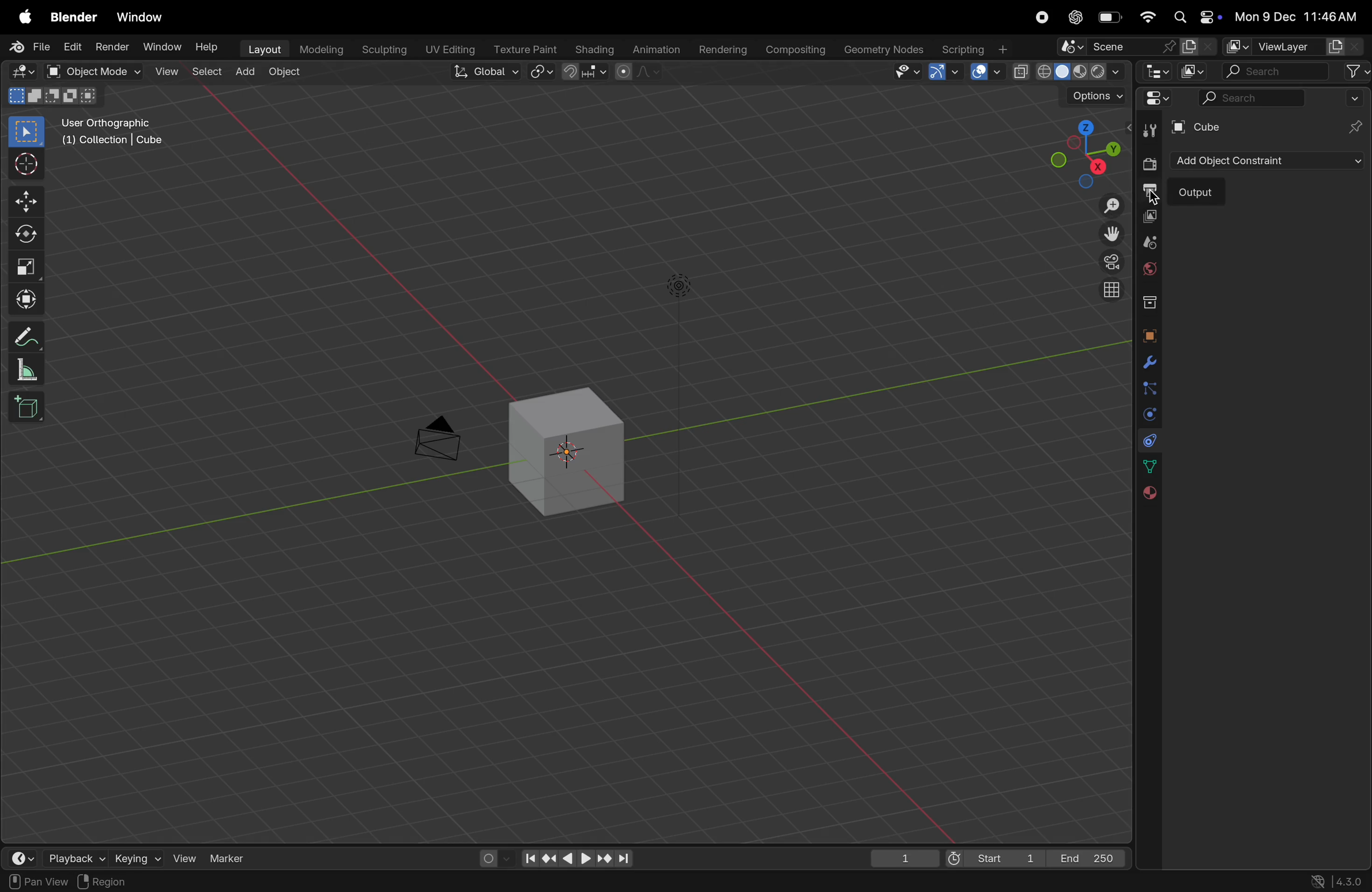 This screenshot has width=1372, height=892. Describe the element at coordinates (1150, 164) in the screenshot. I see `render ` at that location.